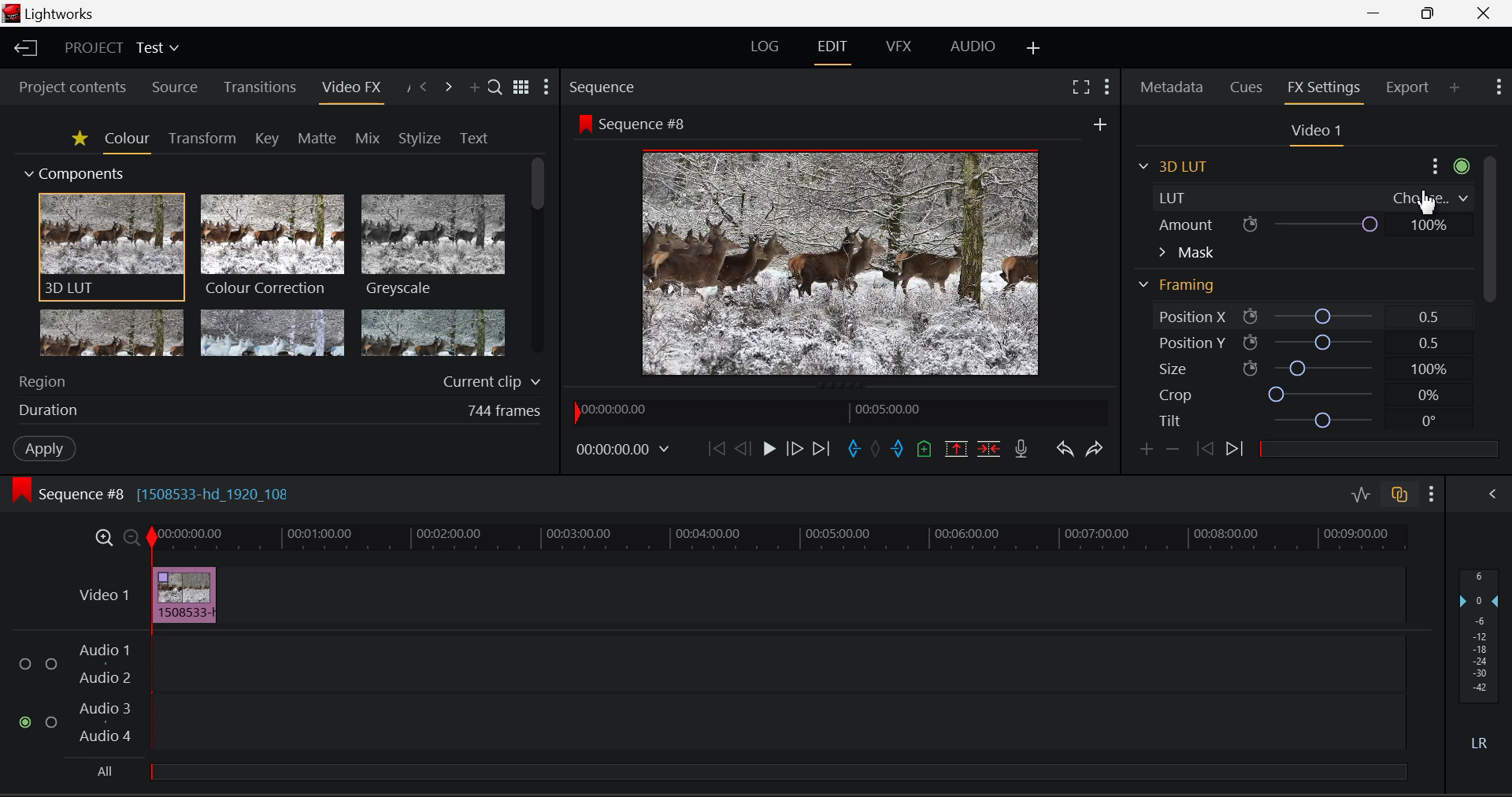 Image resolution: width=1512 pixels, height=797 pixels. Describe the element at coordinates (1303, 396) in the screenshot. I see `Crop` at that location.